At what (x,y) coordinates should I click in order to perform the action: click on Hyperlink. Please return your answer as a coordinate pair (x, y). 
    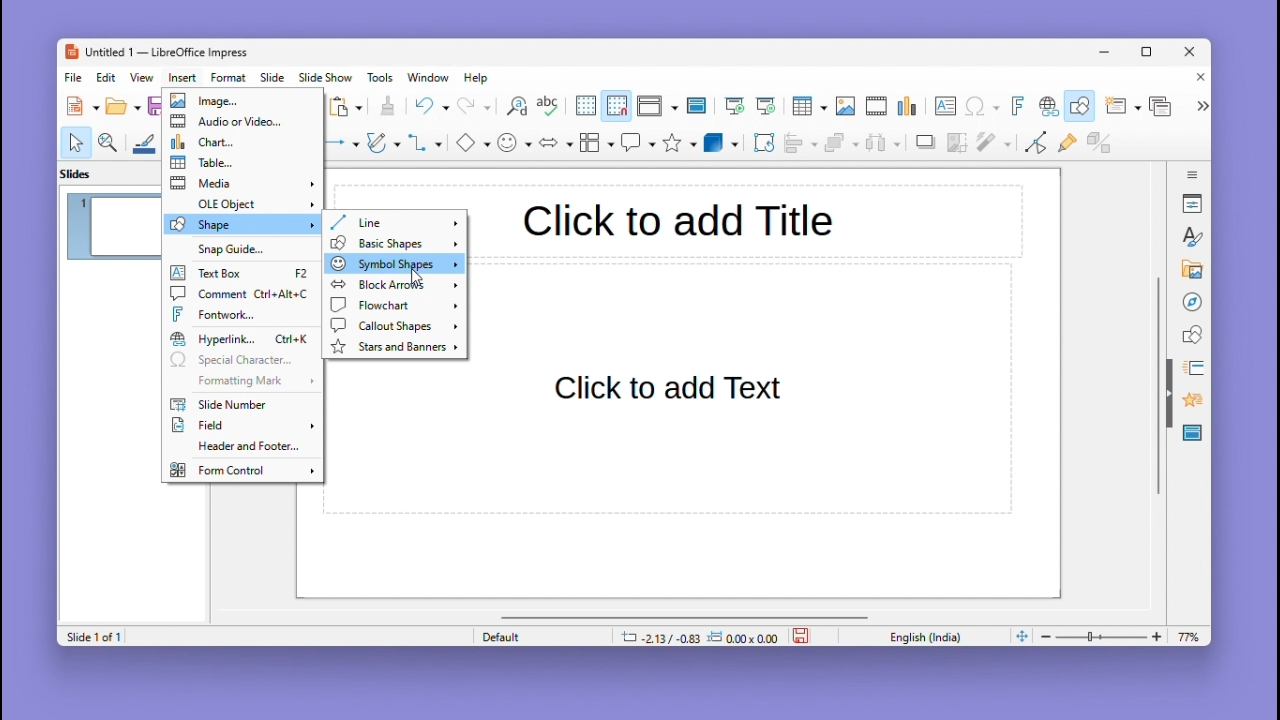
    Looking at the image, I should click on (1046, 108).